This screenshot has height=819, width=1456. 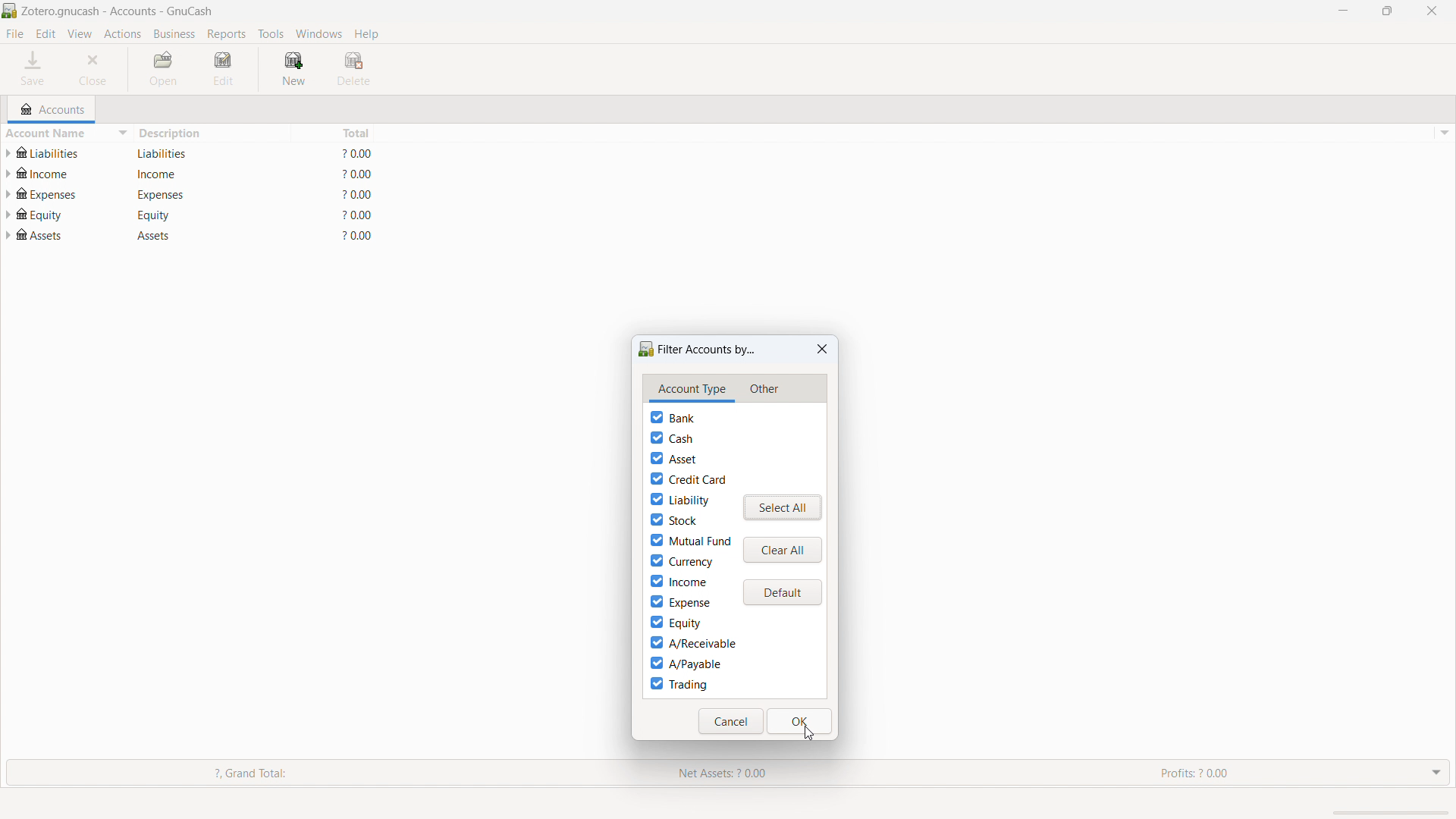 What do you see at coordinates (172, 217) in the screenshot?
I see `description` at bounding box center [172, 217].